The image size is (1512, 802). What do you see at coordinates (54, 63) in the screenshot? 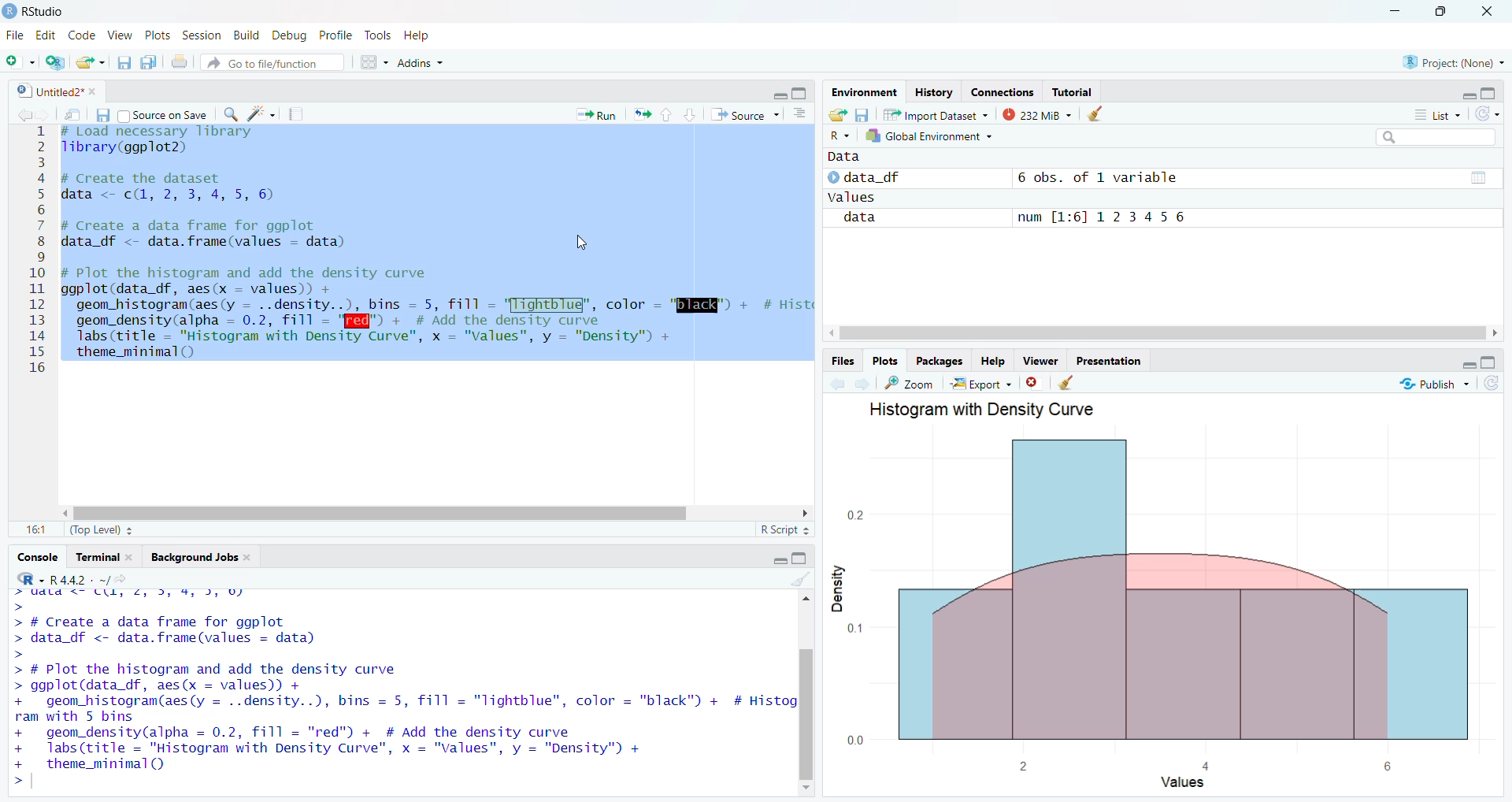
I see `create a project` at bounding box center [54, 63].